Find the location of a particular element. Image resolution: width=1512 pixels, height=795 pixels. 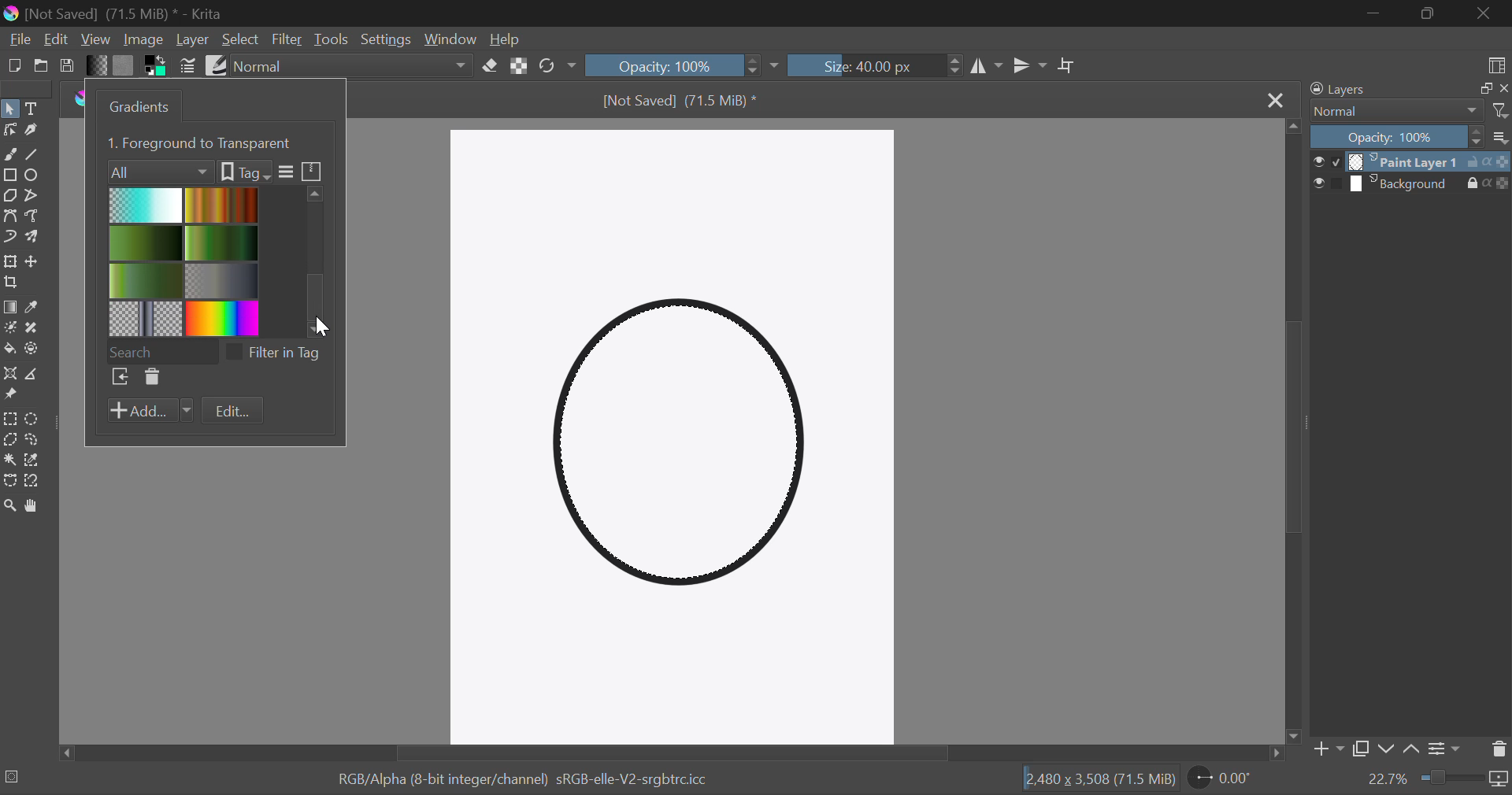

Add Layer is located at coordinates (1328, 750).